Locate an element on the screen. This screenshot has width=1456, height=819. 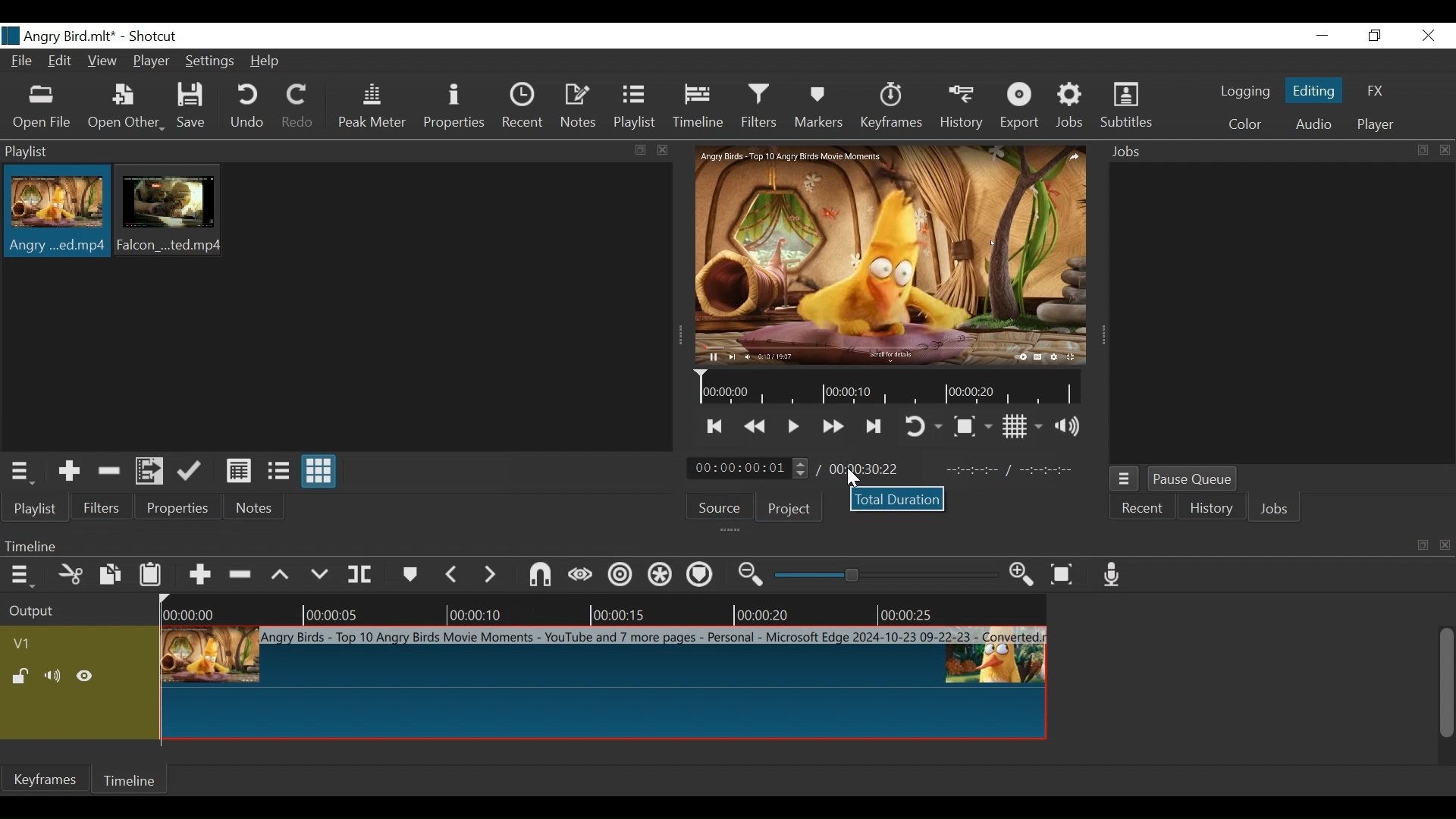
File is located at coordinates (20, 62).